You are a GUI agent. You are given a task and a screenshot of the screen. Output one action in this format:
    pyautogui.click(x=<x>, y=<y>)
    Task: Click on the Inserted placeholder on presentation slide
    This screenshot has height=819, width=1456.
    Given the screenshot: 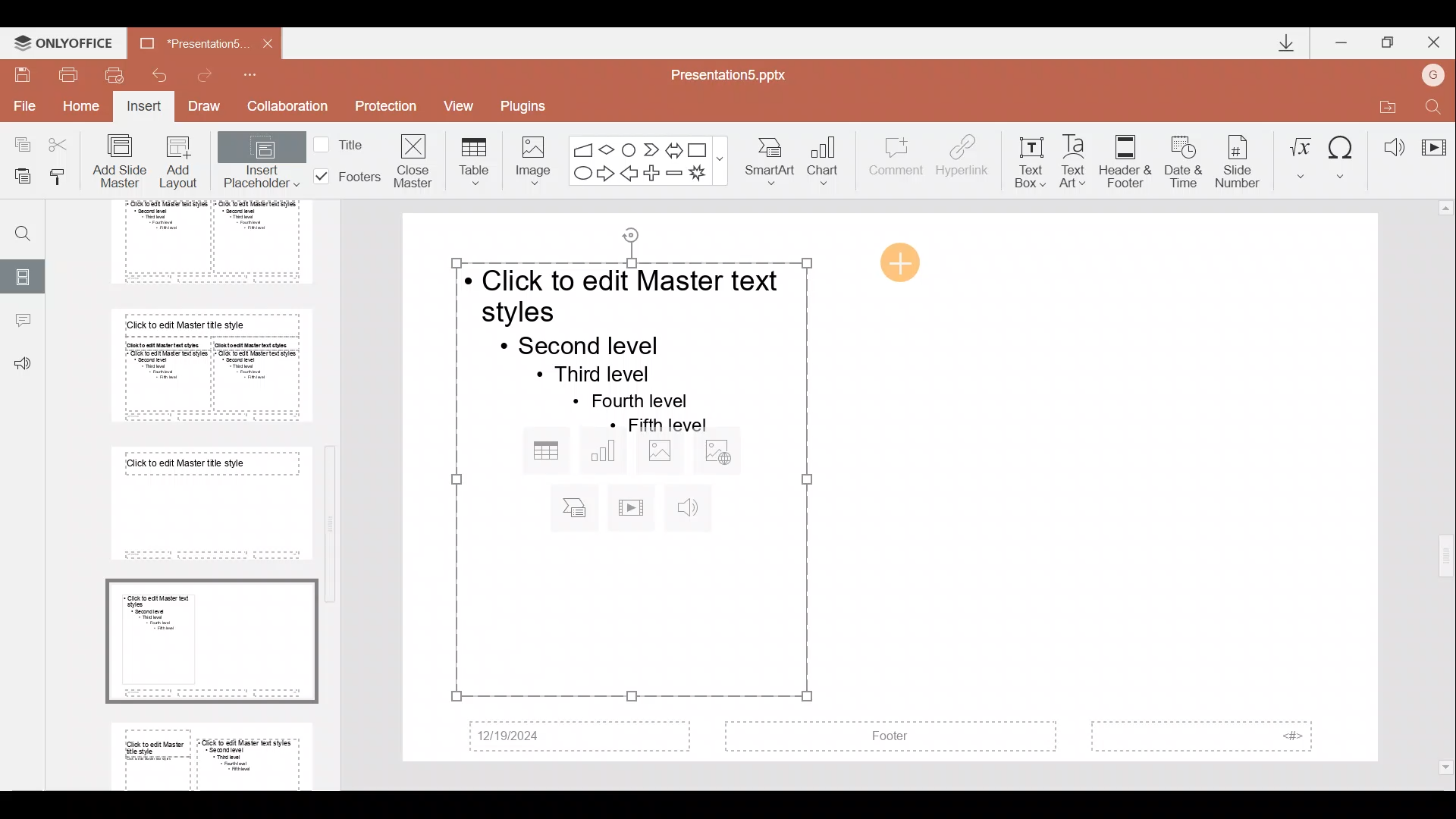 What is the action you would take?
    pyautogui.click(x=624, y=477)
    